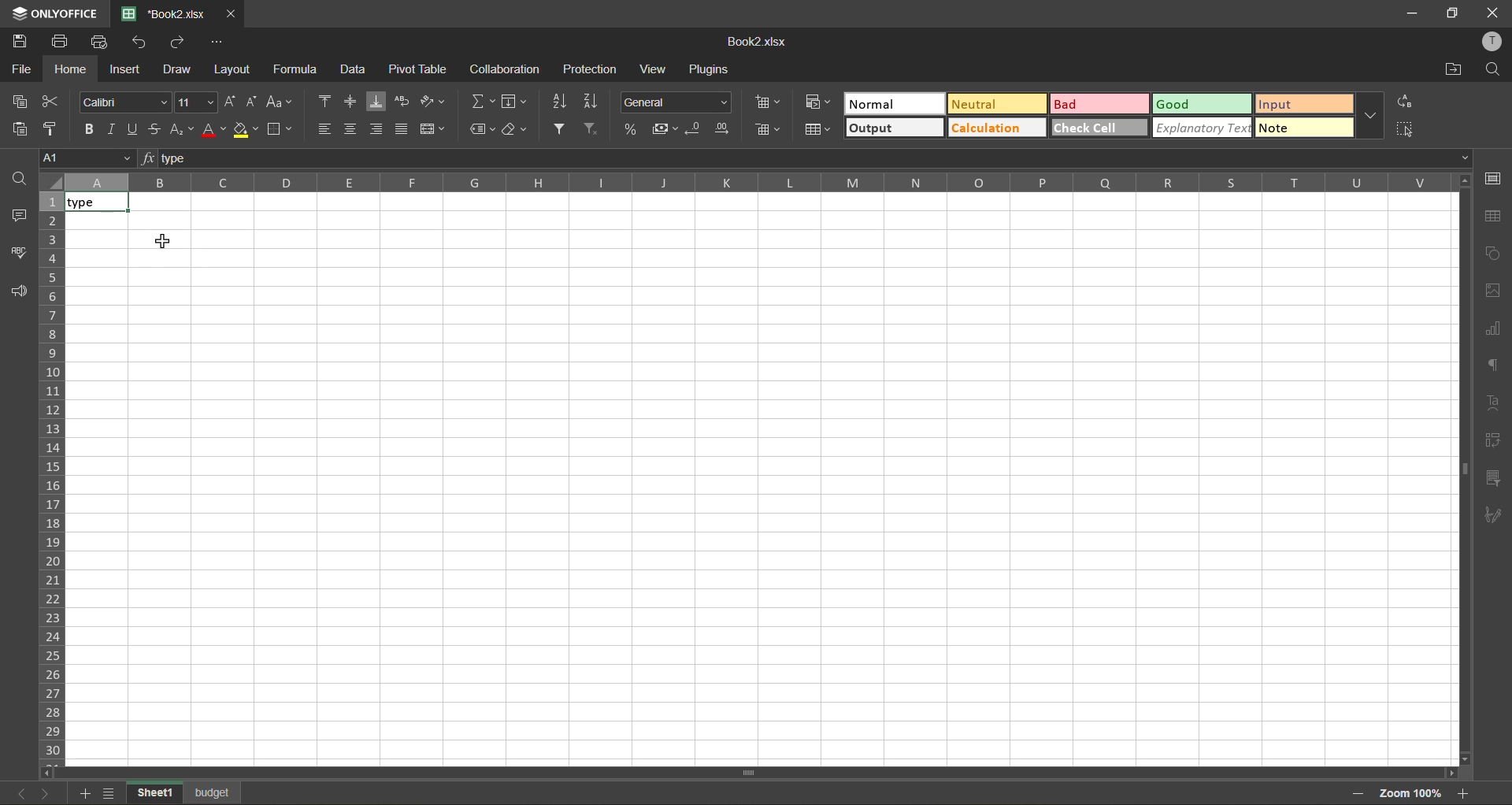 This screenshot has height=805, width=1512. I want to click on justified, so click(405, 129).